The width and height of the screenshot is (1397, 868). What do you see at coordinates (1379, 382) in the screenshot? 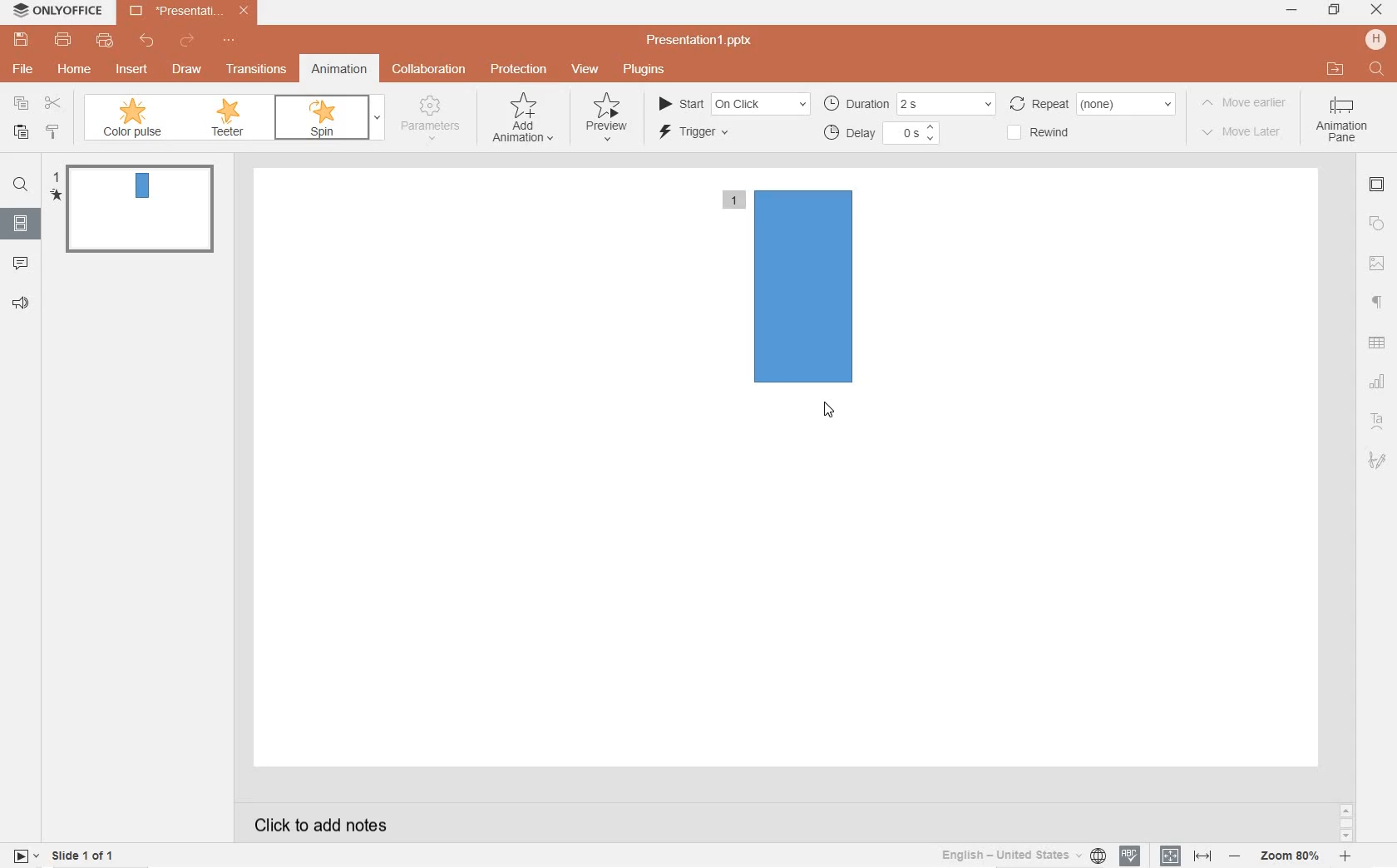
I see `chart settings` at bounding box center [1379, 382].